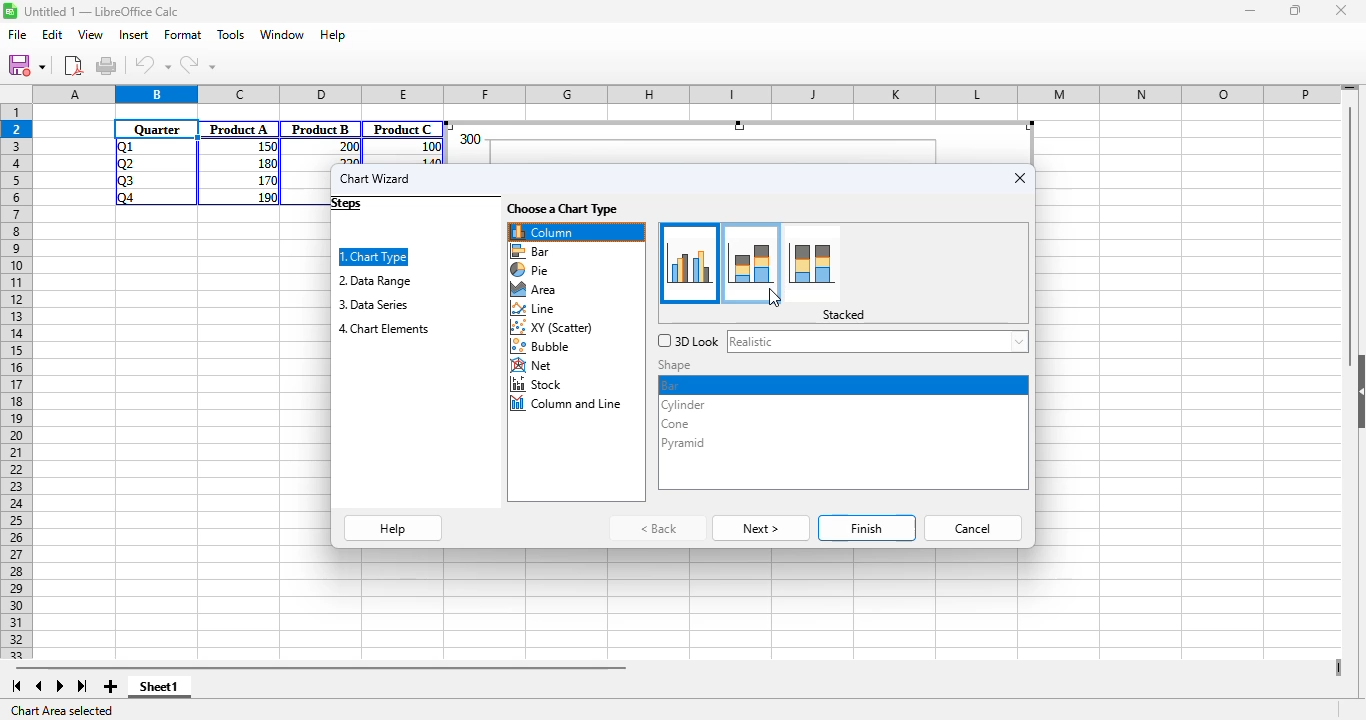 Image resolution: width=1366 pixels, height=720 pixels. I want to click on bar, so click(673, 384).